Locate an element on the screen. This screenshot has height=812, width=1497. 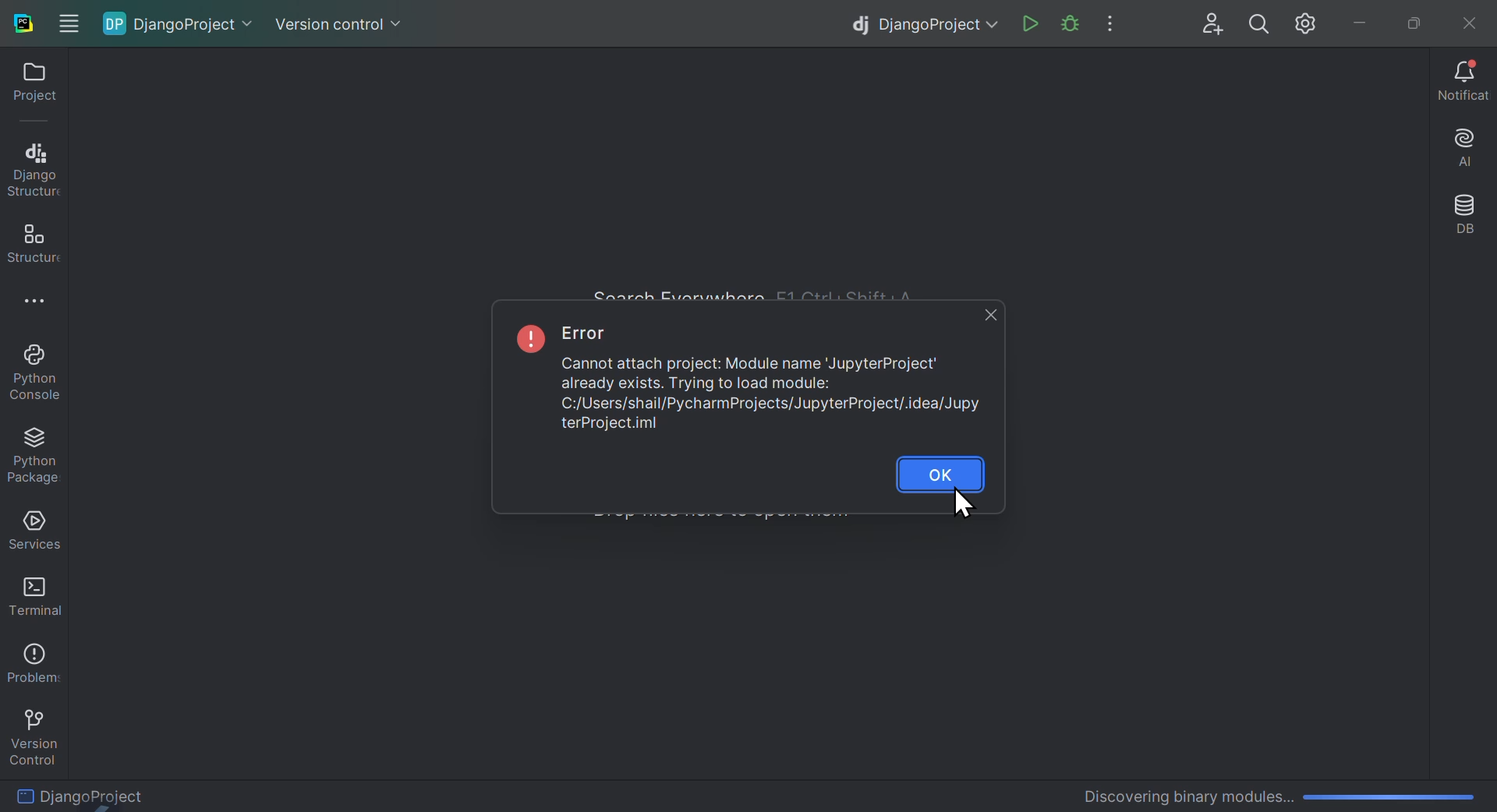
search is located at coordinates (1260, 24).